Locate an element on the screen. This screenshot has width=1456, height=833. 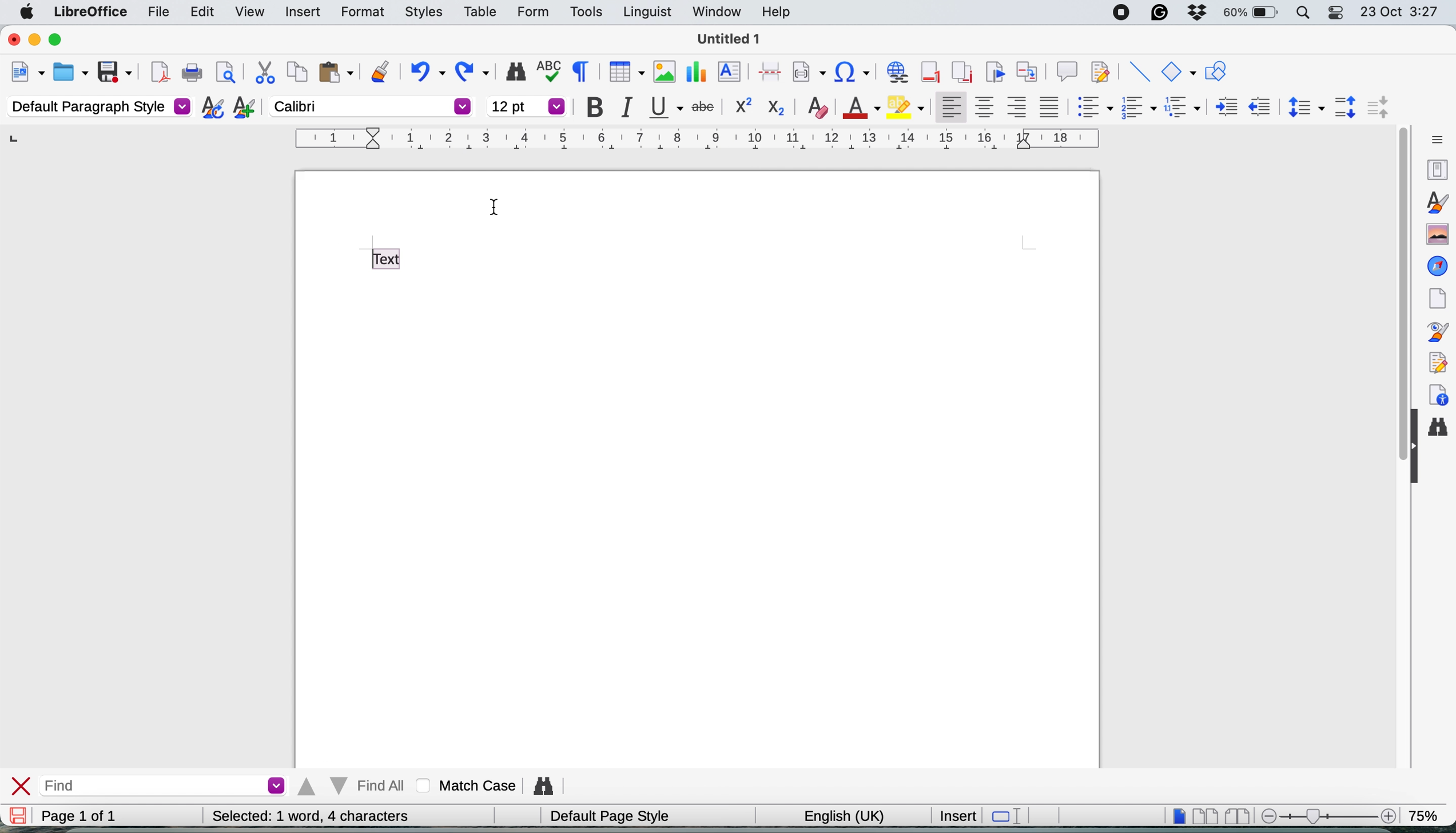
system logo is located at coordinates (27, 12).